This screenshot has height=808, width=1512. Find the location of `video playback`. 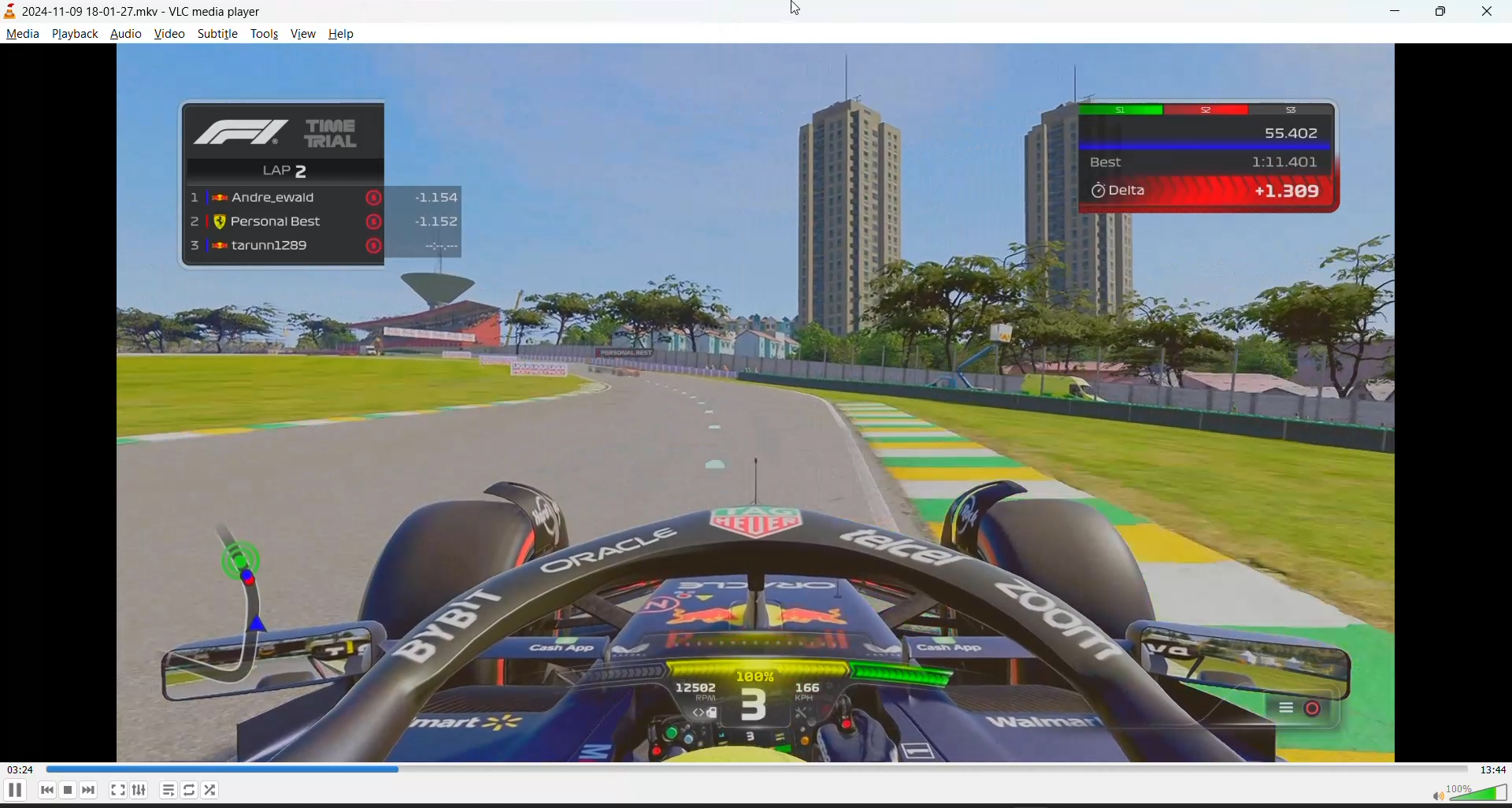

video playback is located at coordinates (756, 402).